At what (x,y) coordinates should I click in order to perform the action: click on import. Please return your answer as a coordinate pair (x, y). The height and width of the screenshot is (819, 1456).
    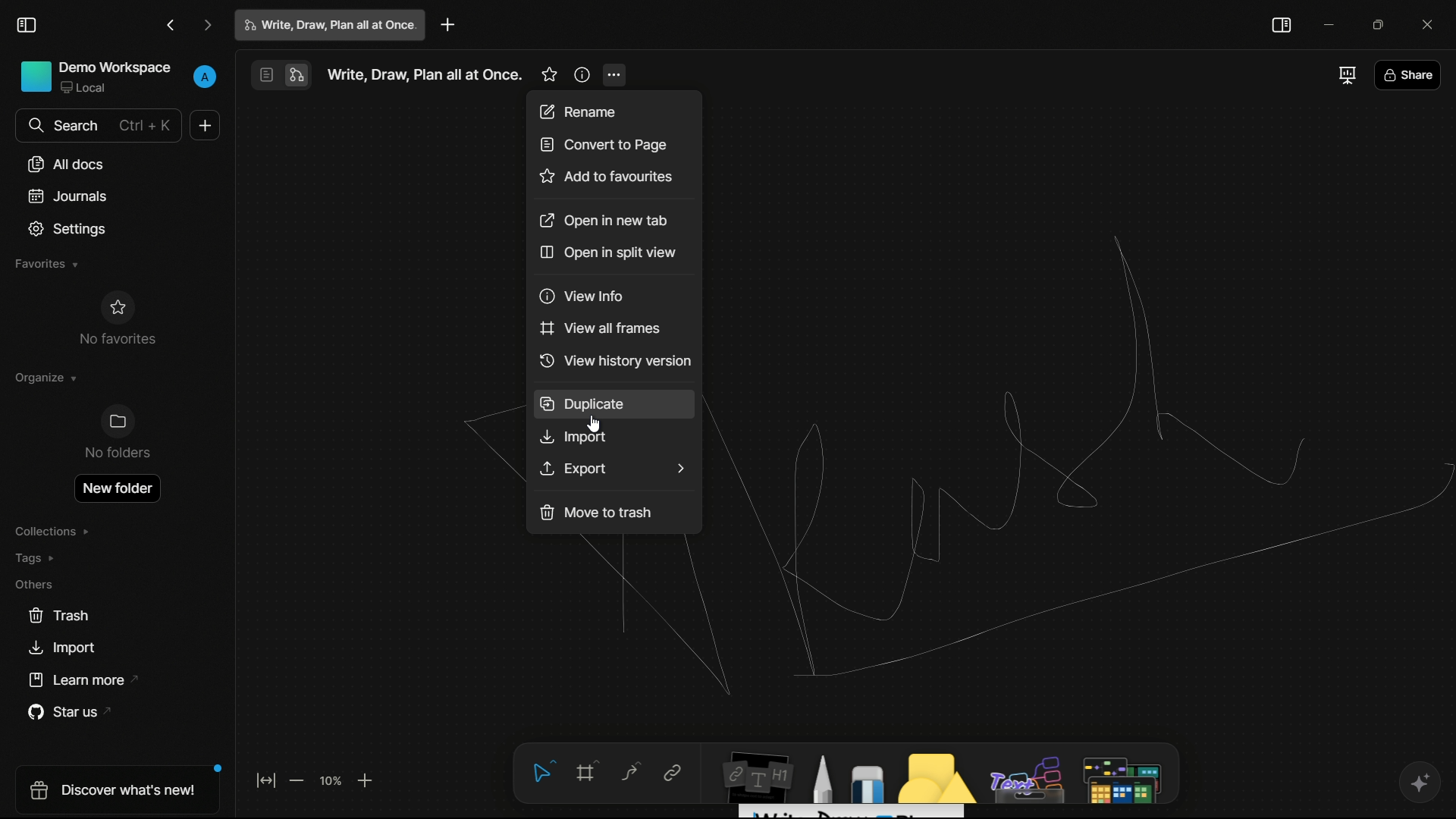
    Looking at the image, I should click on (579, 437).